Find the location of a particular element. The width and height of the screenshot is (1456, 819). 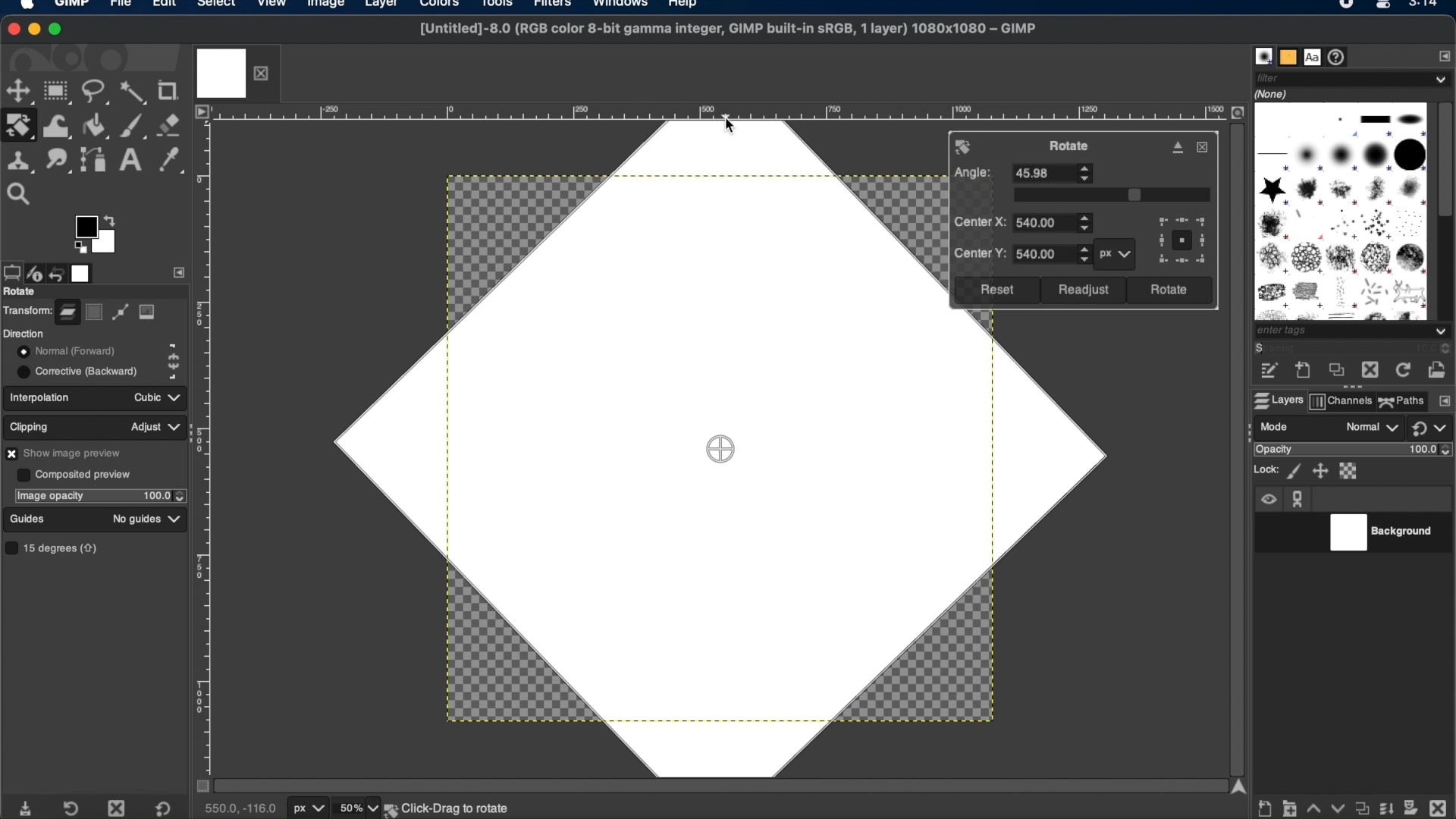

warp transform is located at coordinates (56, 124).